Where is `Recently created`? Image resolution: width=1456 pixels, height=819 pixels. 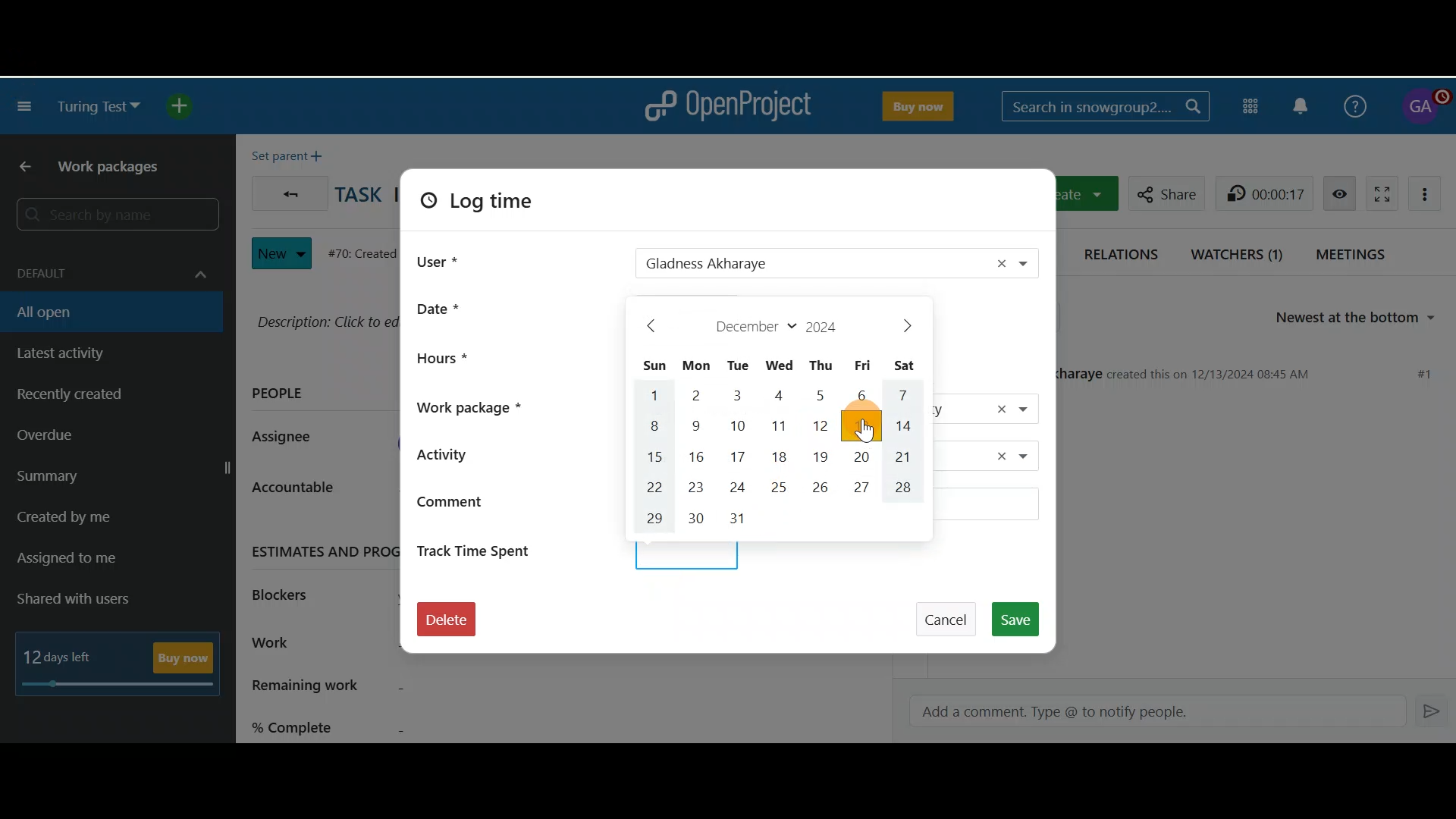
Recently created is located at coordinates (101, 398).